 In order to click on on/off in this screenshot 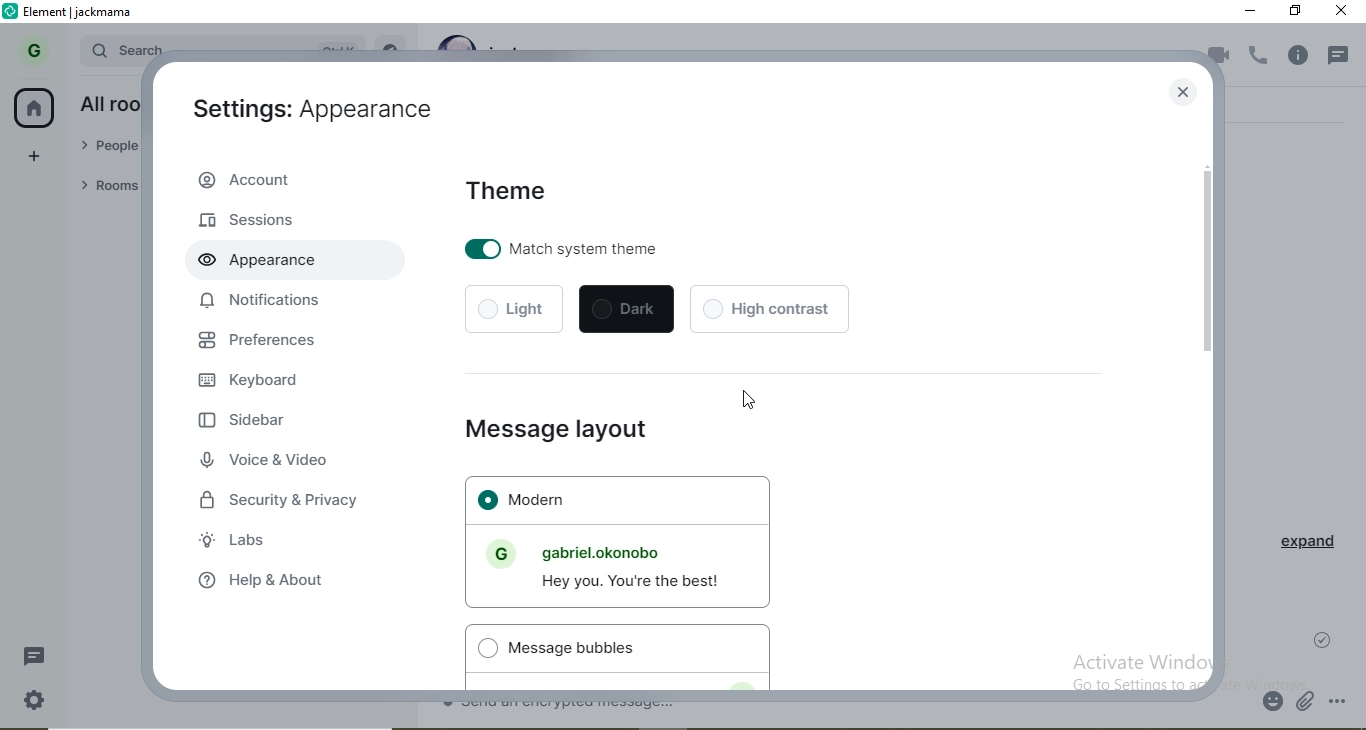, I will do `click(481, 247)`.